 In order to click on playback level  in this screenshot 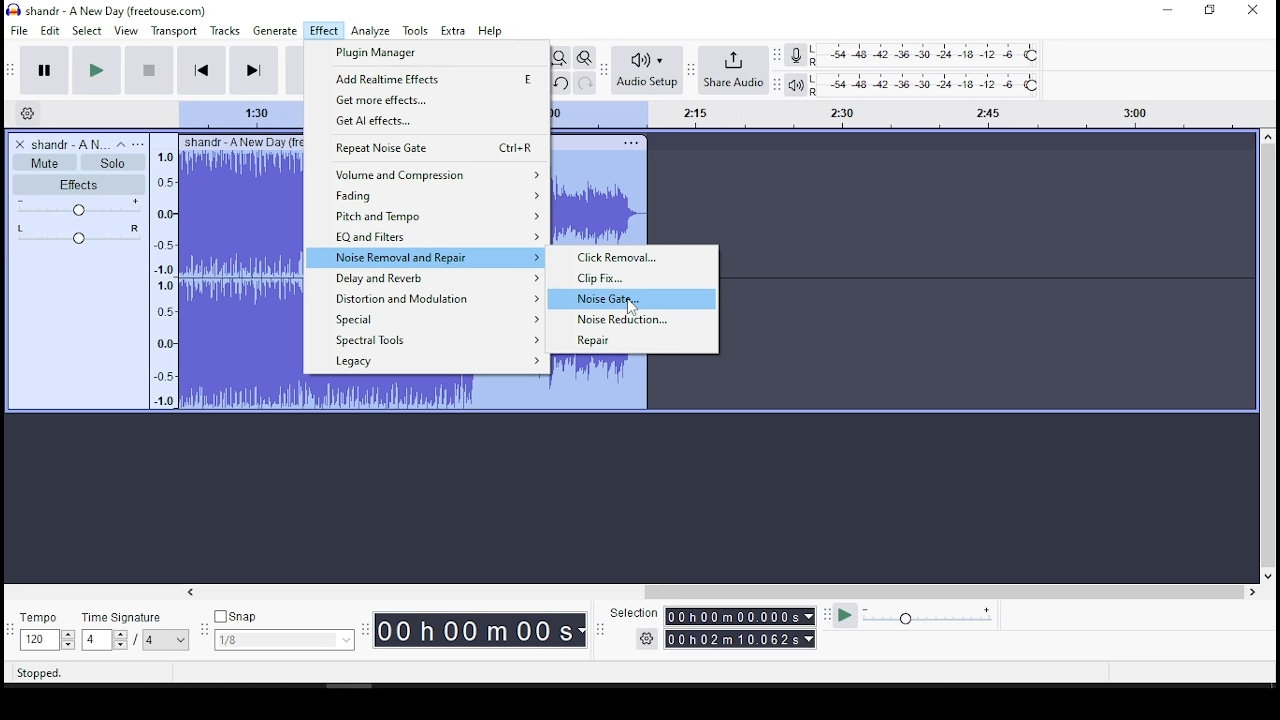, I will do `click(927, 84)`.